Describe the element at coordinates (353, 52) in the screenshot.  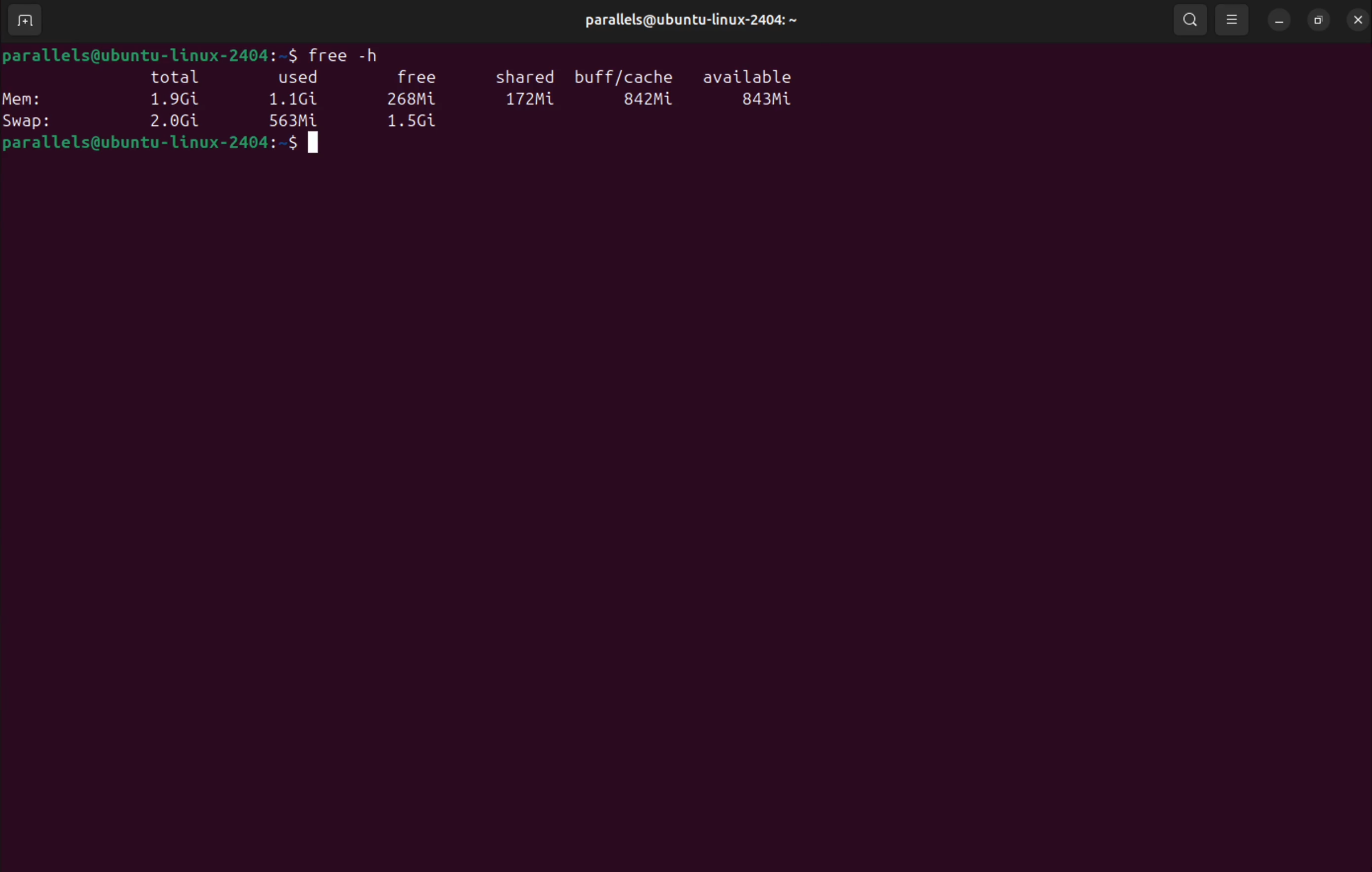
I see `free -h` at that location.